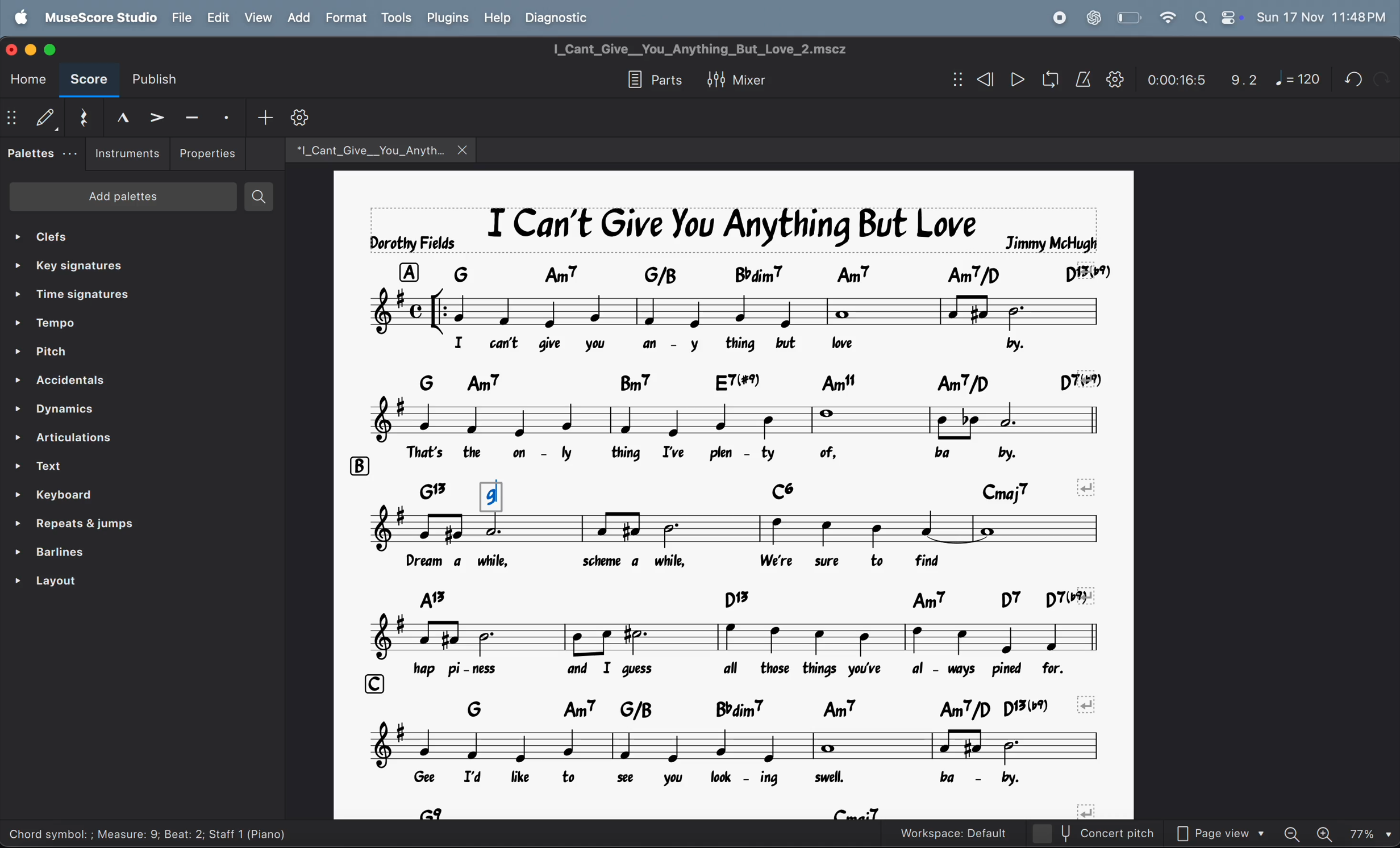  I want to click on rewind, so click(973, 79).